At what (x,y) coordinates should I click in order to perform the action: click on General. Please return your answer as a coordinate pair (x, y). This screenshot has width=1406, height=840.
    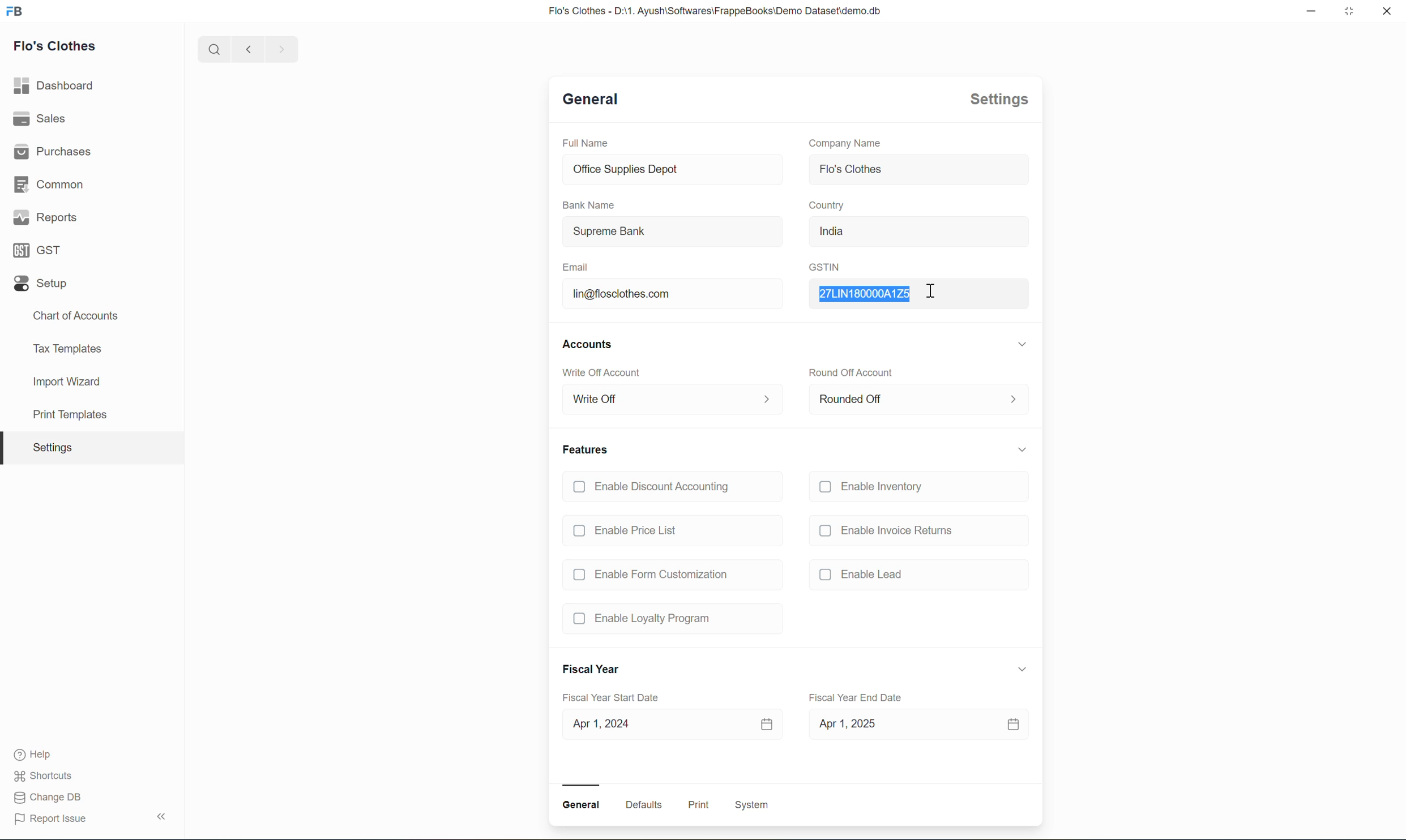
    Looking at the image, I should click on (581, 805).